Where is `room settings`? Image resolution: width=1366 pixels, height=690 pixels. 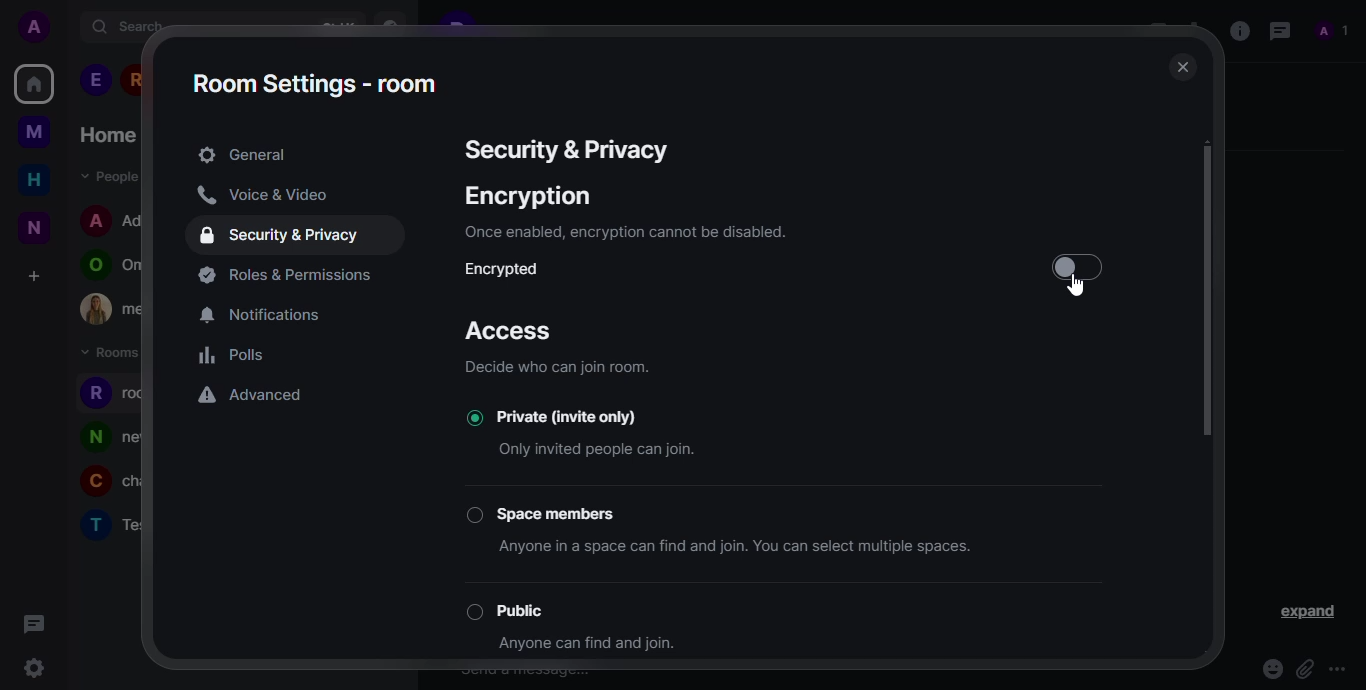
room settings is located at coordinates (314, 83).